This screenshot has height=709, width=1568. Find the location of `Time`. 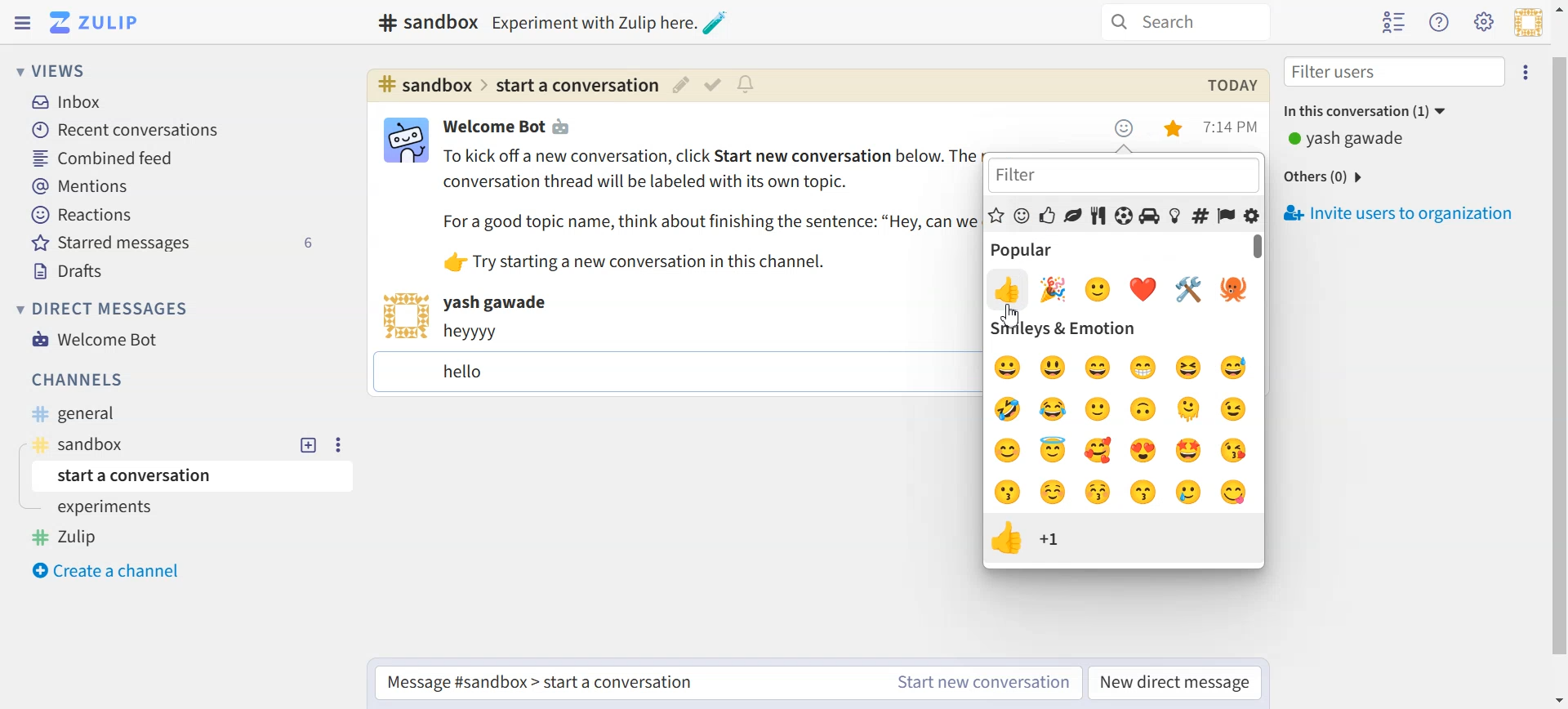

Time is located at coordinates (1234, 127).